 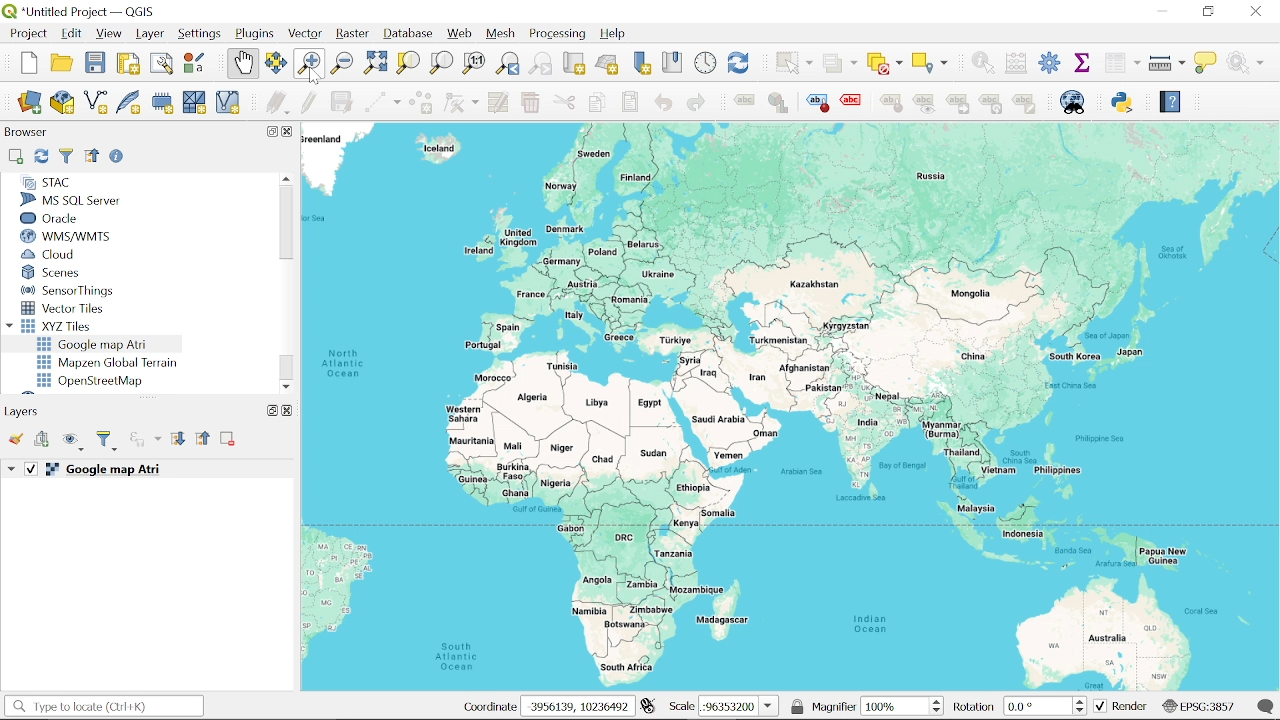 I want to click on Rotation, so click(x=1039, y=706).